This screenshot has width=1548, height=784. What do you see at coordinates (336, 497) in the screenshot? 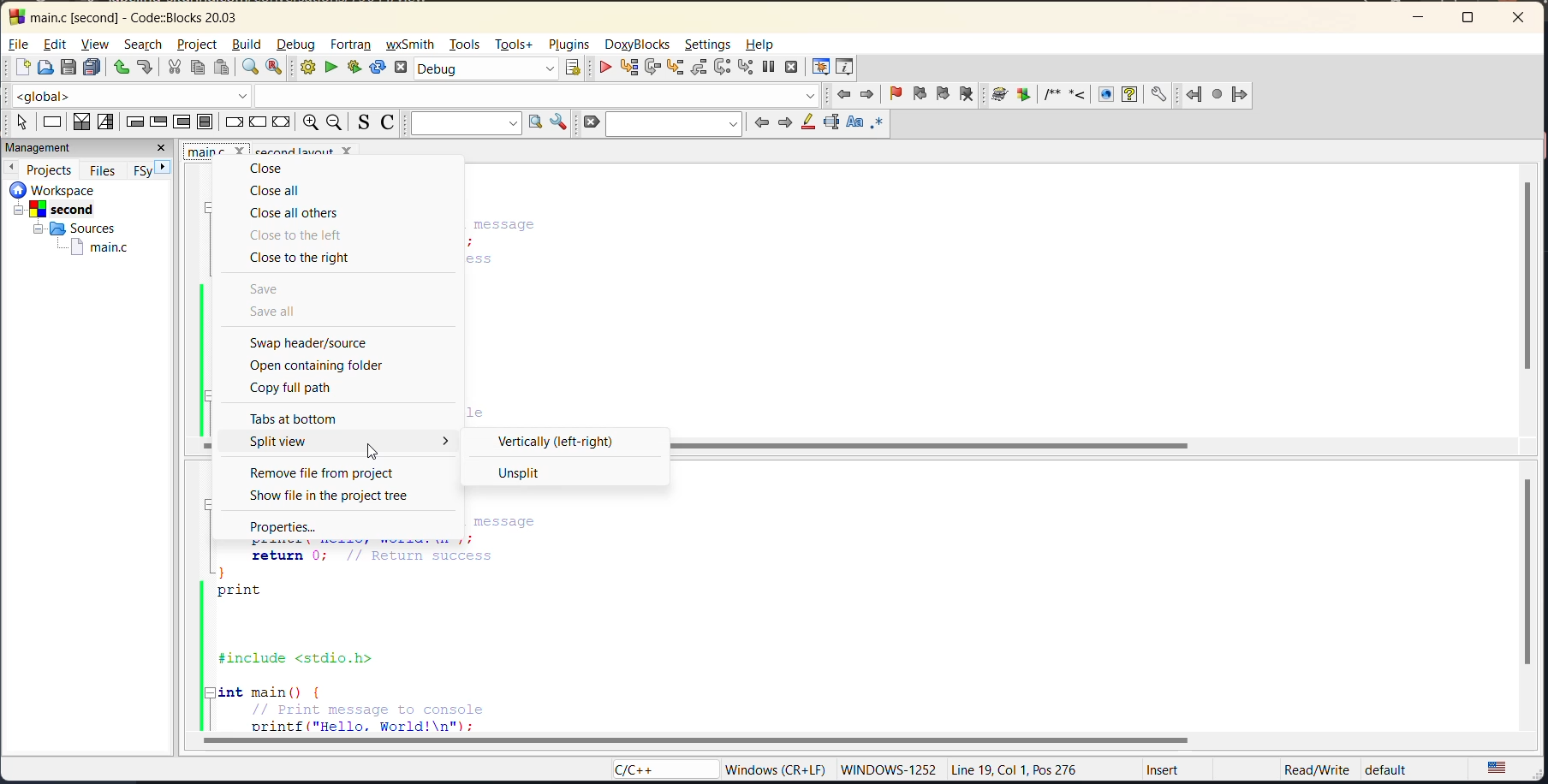
I see `show file in the project tree` at bounding box center [336, 497].